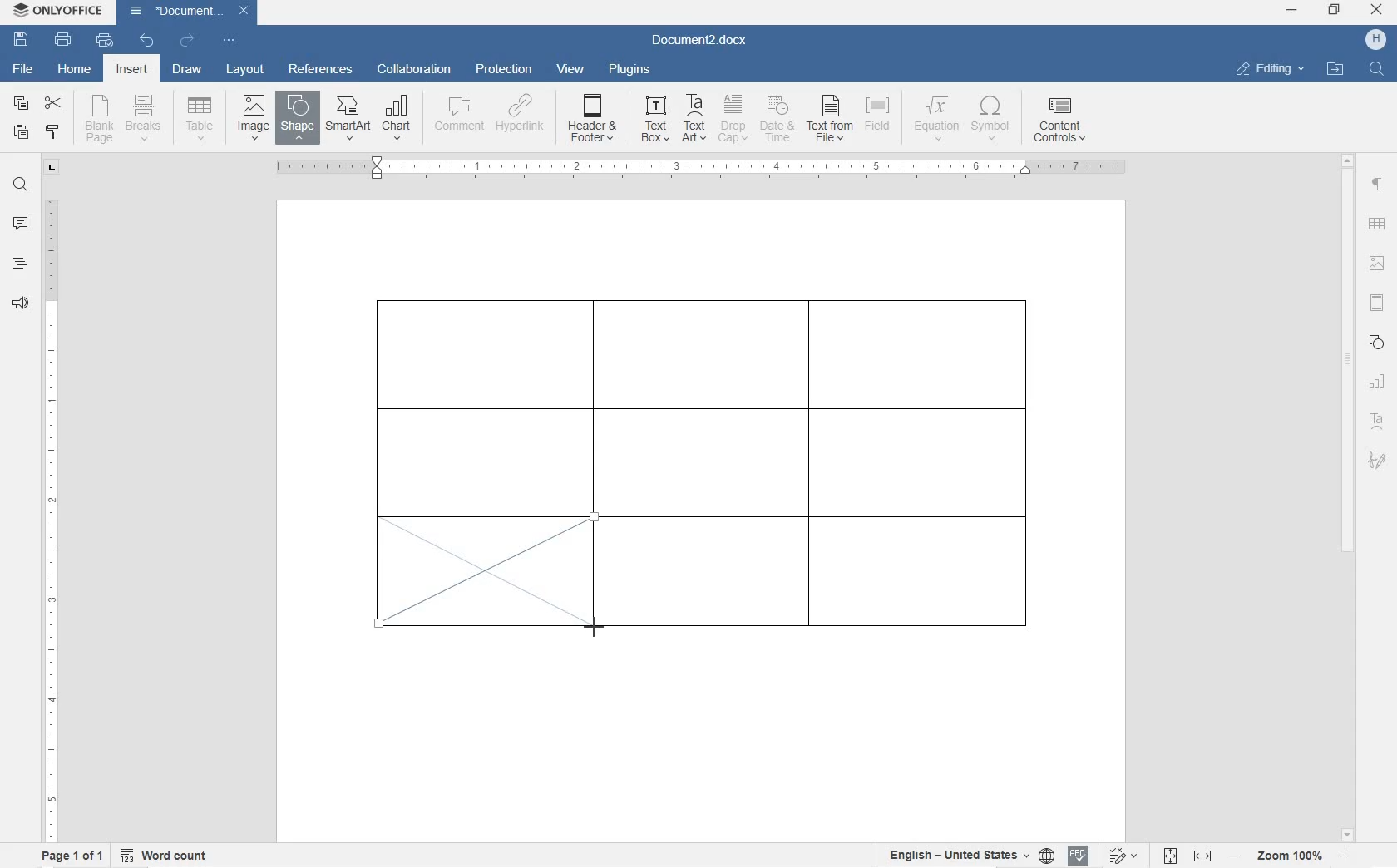 This screenshot has height=868, width=1397. Describe the element at coordinates (1057, 122) in the screenshot. I see `CONTENT CONTROLS` at that location.